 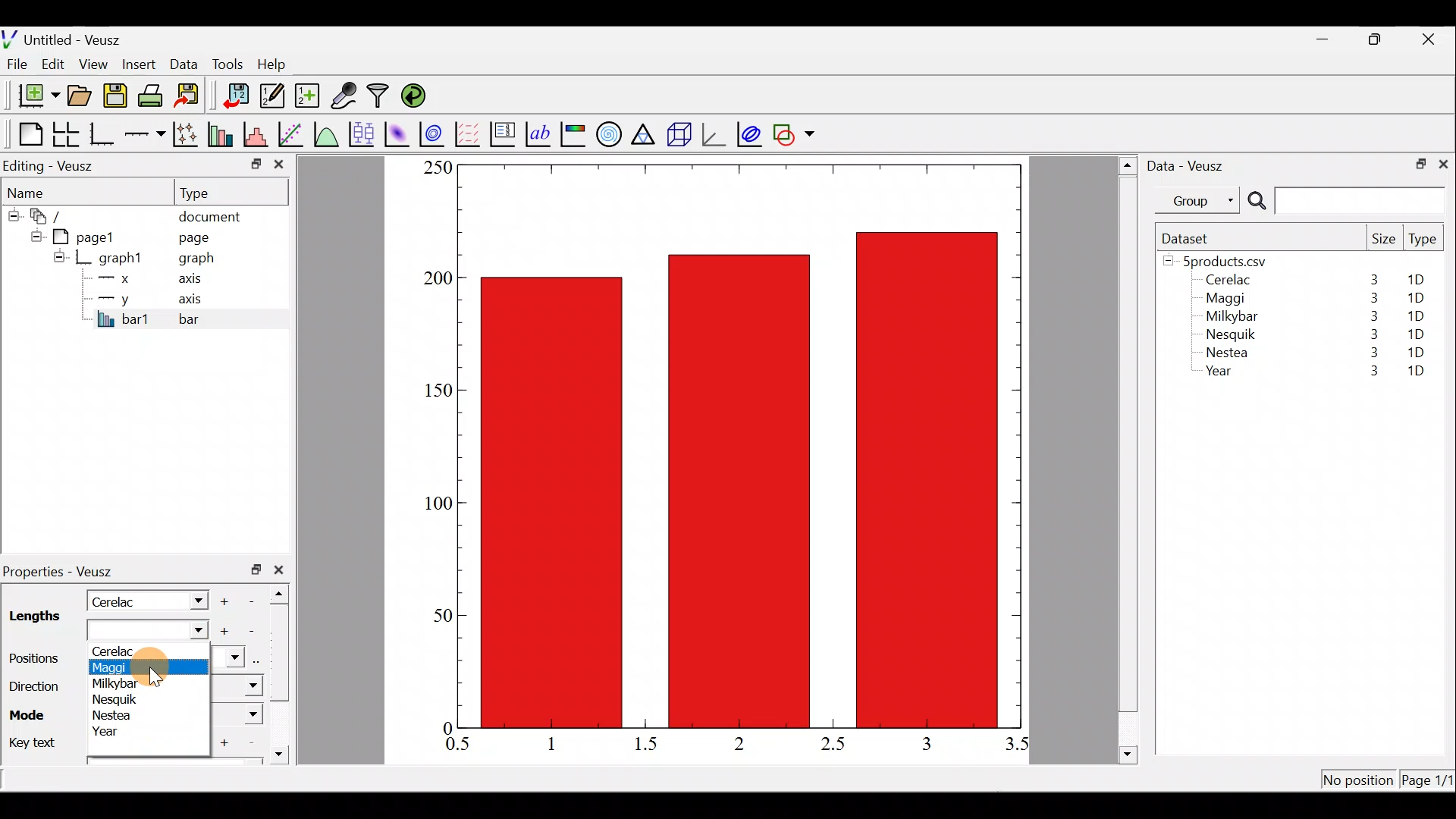 I want to click on x, so click(x=118, y=278).